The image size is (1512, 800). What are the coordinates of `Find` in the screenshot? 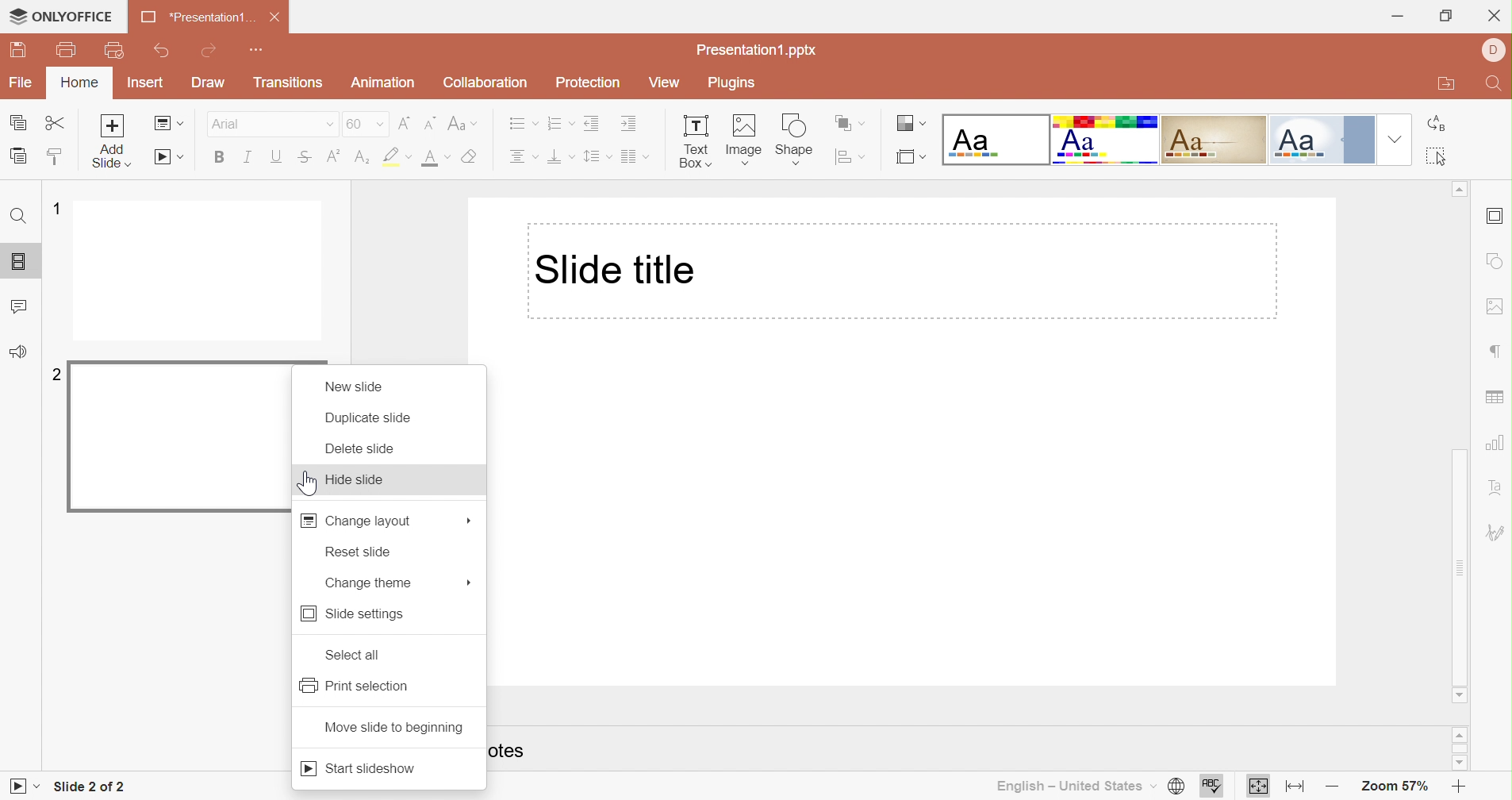 It's located at (1495, 85).